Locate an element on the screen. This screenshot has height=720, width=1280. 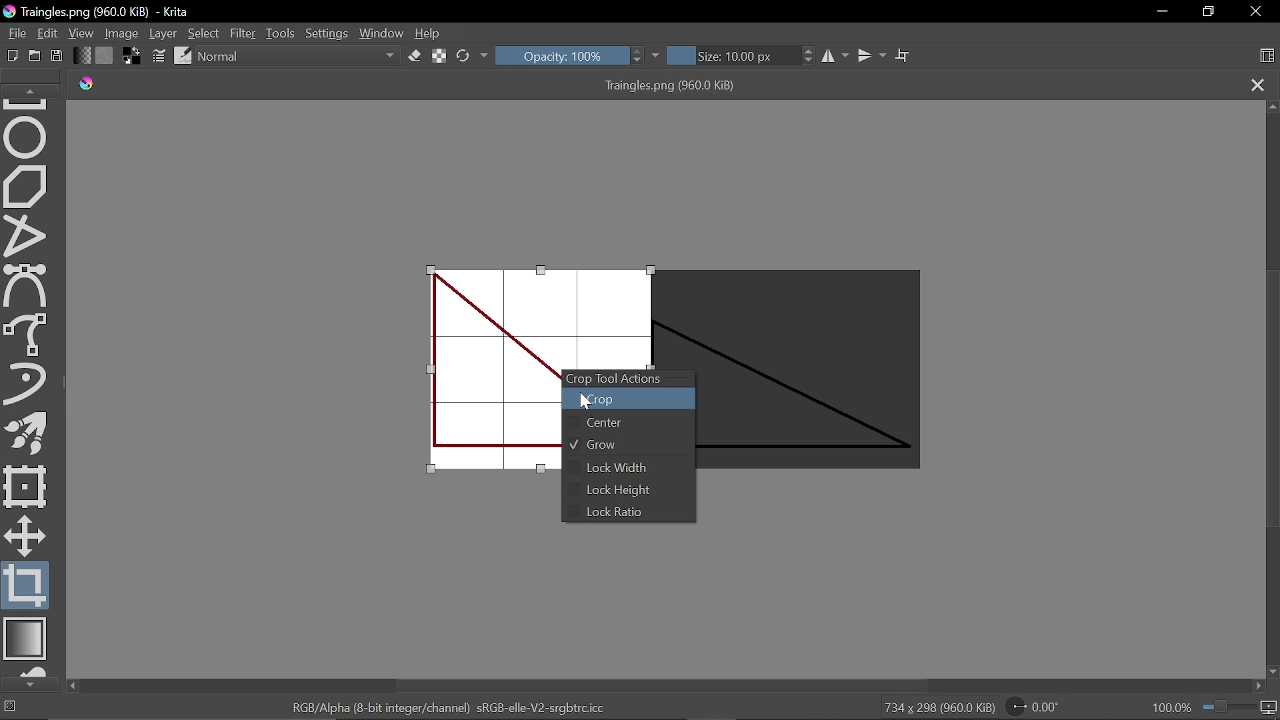
Save is located at coordinates (58, 56).